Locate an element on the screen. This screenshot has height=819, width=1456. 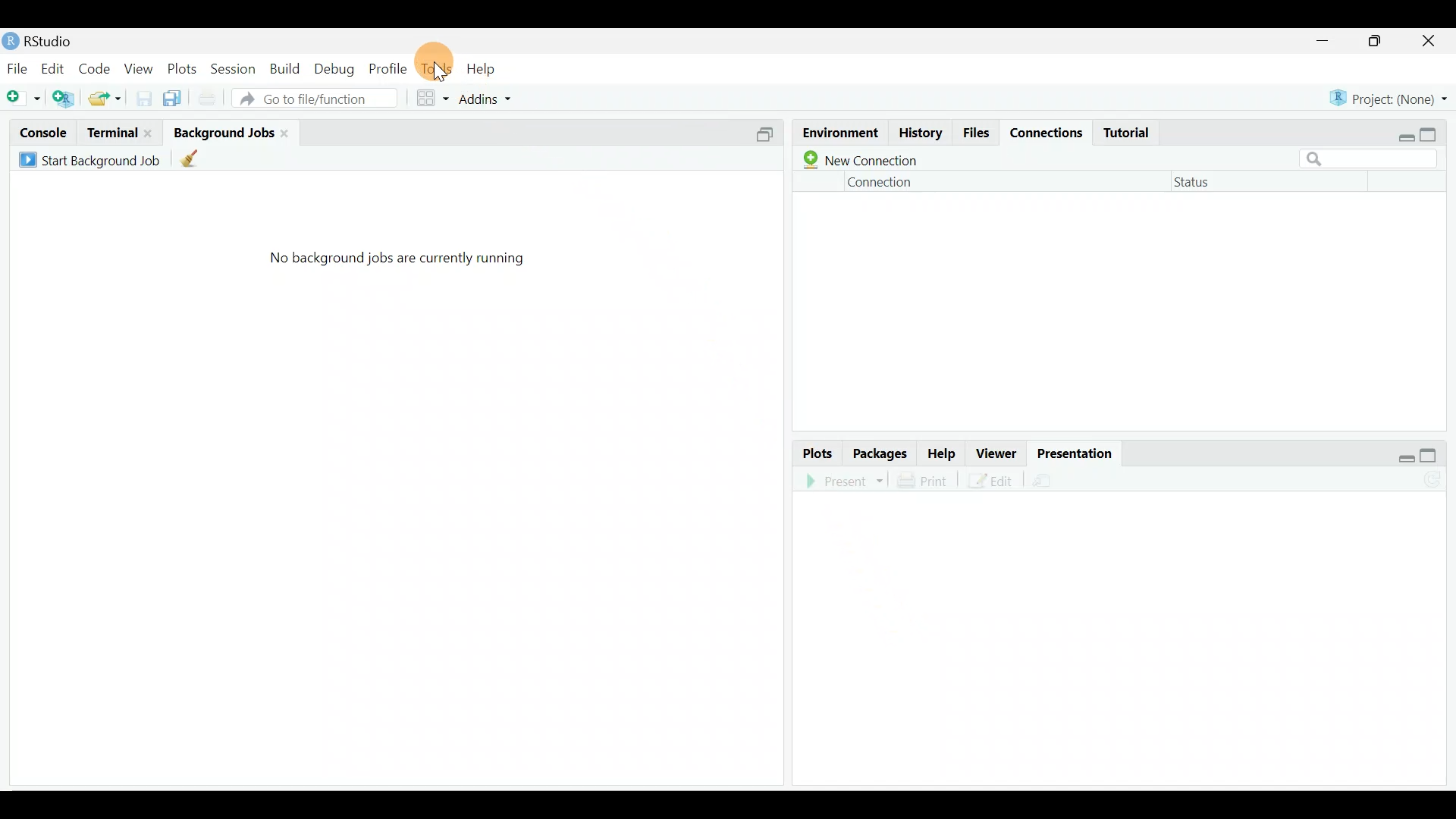
Project (None) is located at coordinates (1388, 99).